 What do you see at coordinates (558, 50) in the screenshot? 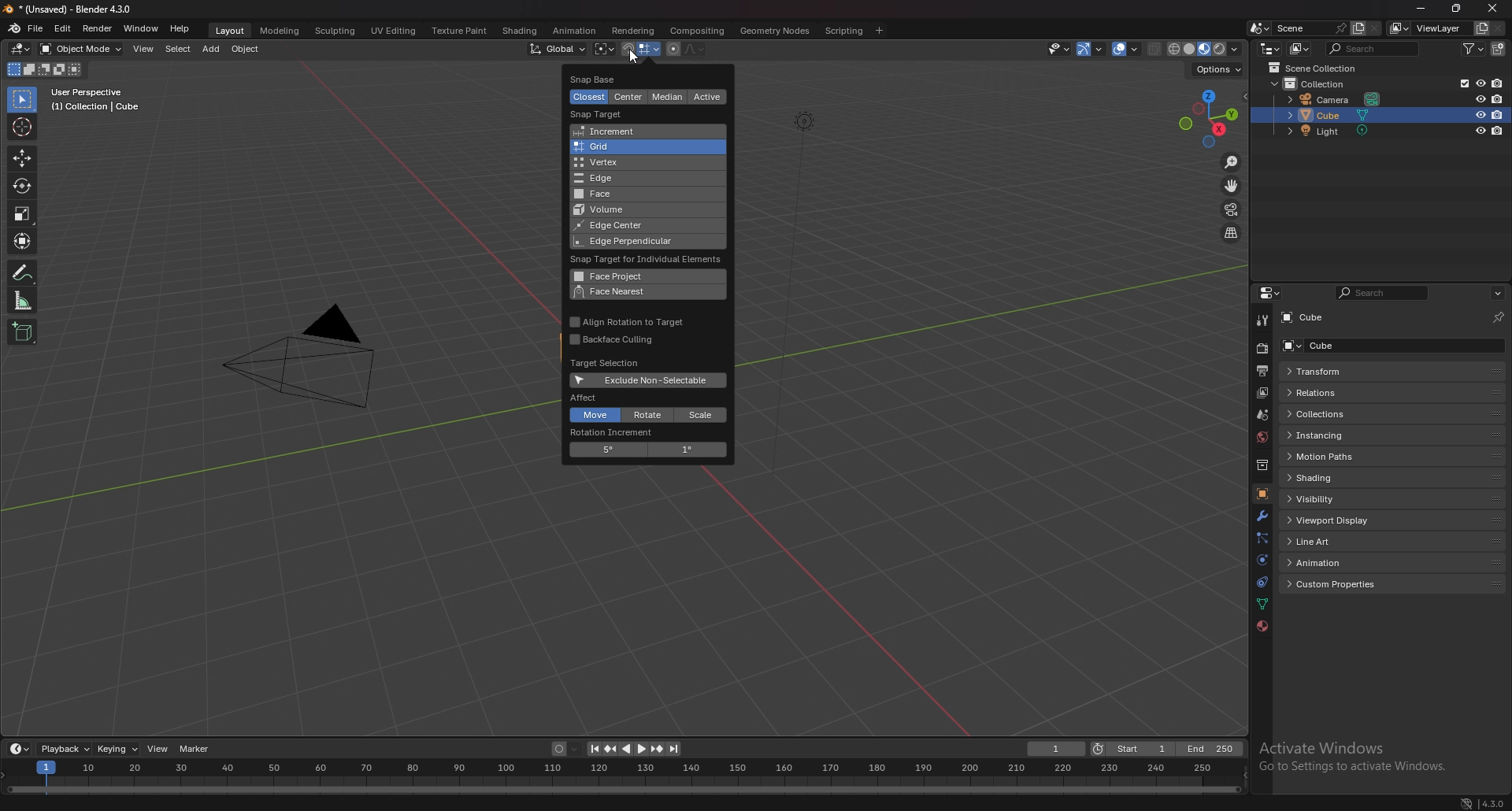
I see `transformation orientation` at bounding box center [558, 50].